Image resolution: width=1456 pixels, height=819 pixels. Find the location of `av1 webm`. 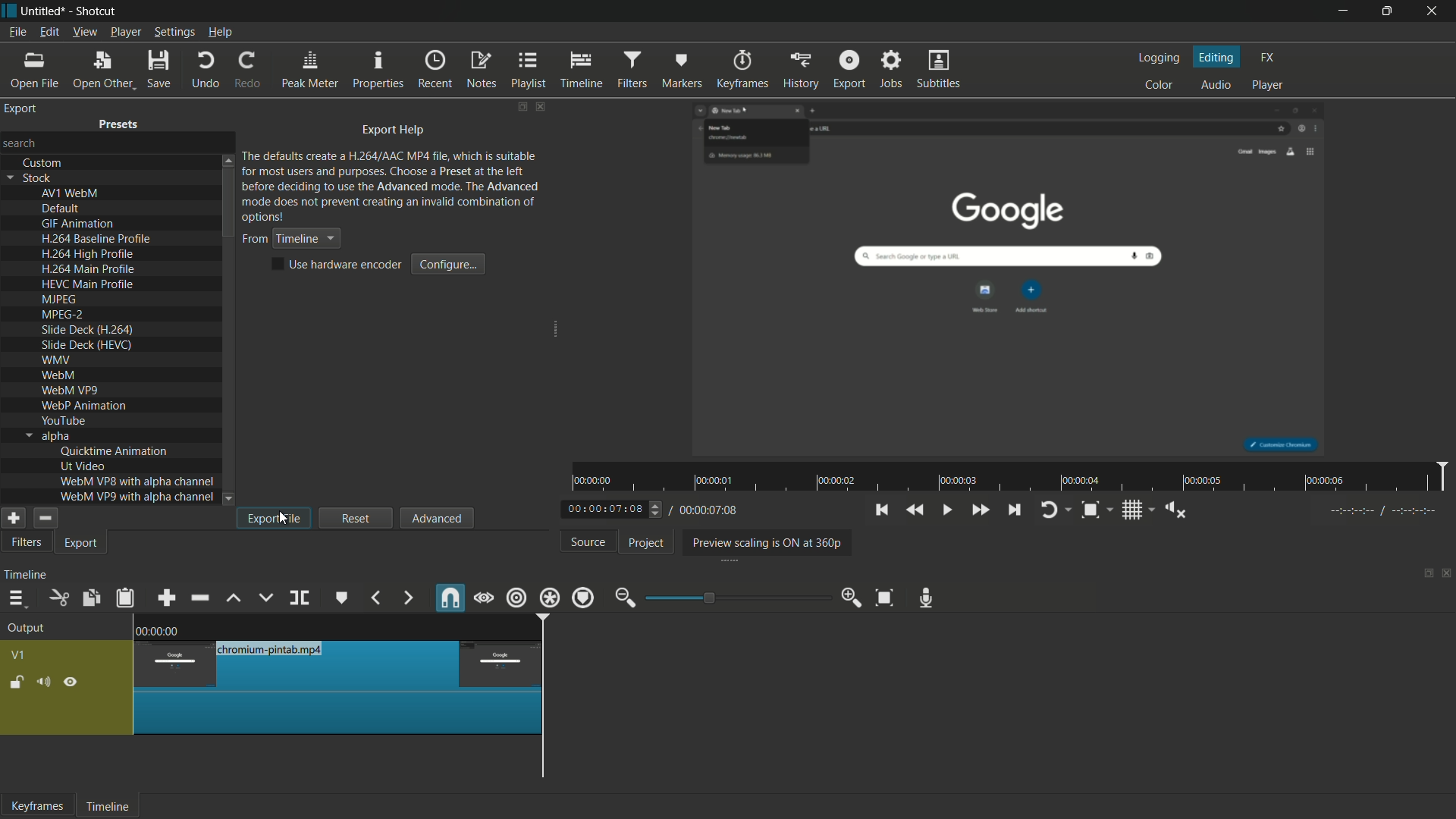

av1 webm is located at coordinates (71, 192).